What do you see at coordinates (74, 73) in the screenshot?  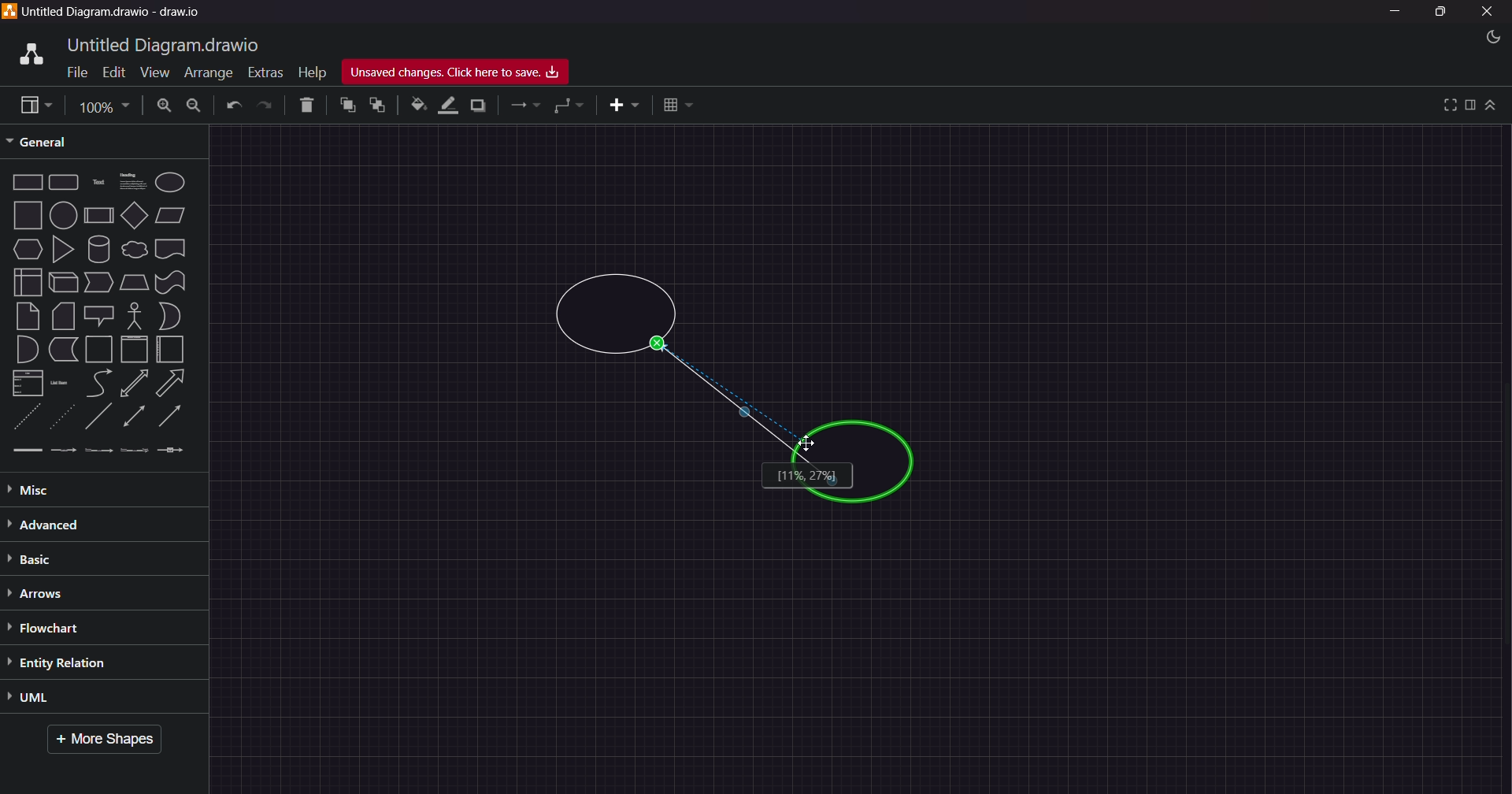 I see `File` at bounding box center [74, 73].